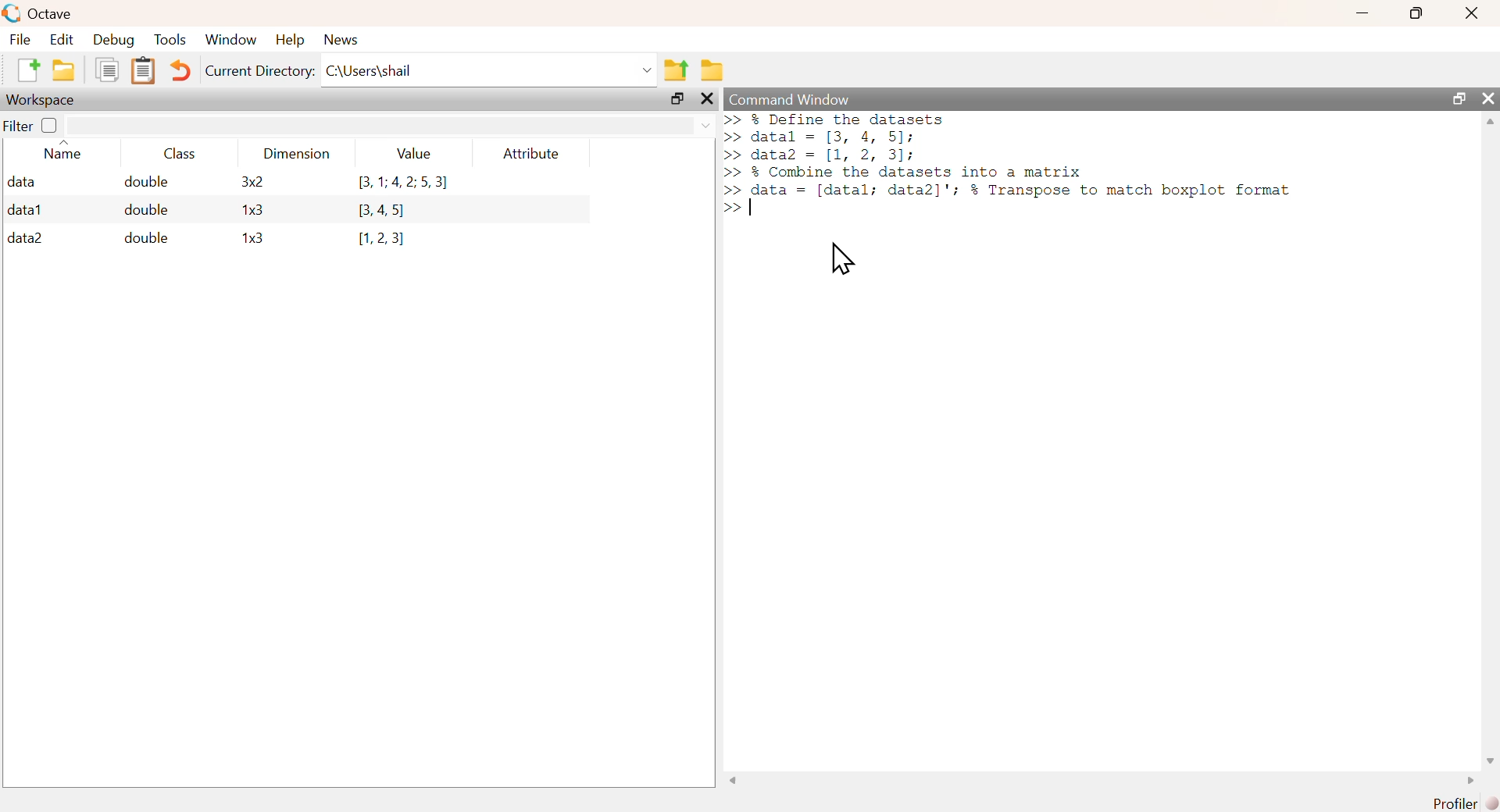  What do you see at coordinates (1362, 12) in the screenshot?
I see `minimize` at bounding box center [1362, 12].